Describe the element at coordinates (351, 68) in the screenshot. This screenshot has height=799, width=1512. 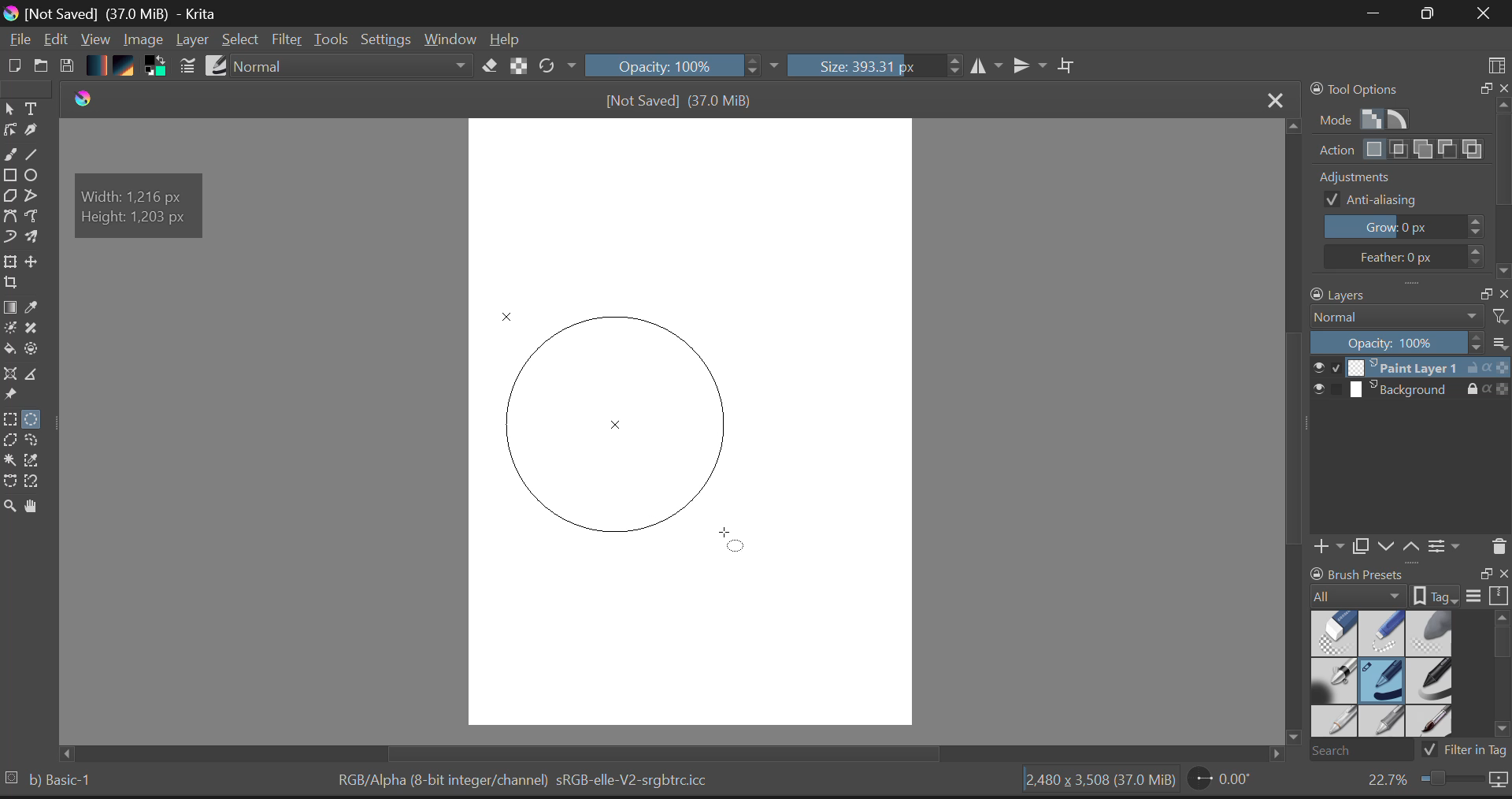
I see `Blending Mode` at that location.